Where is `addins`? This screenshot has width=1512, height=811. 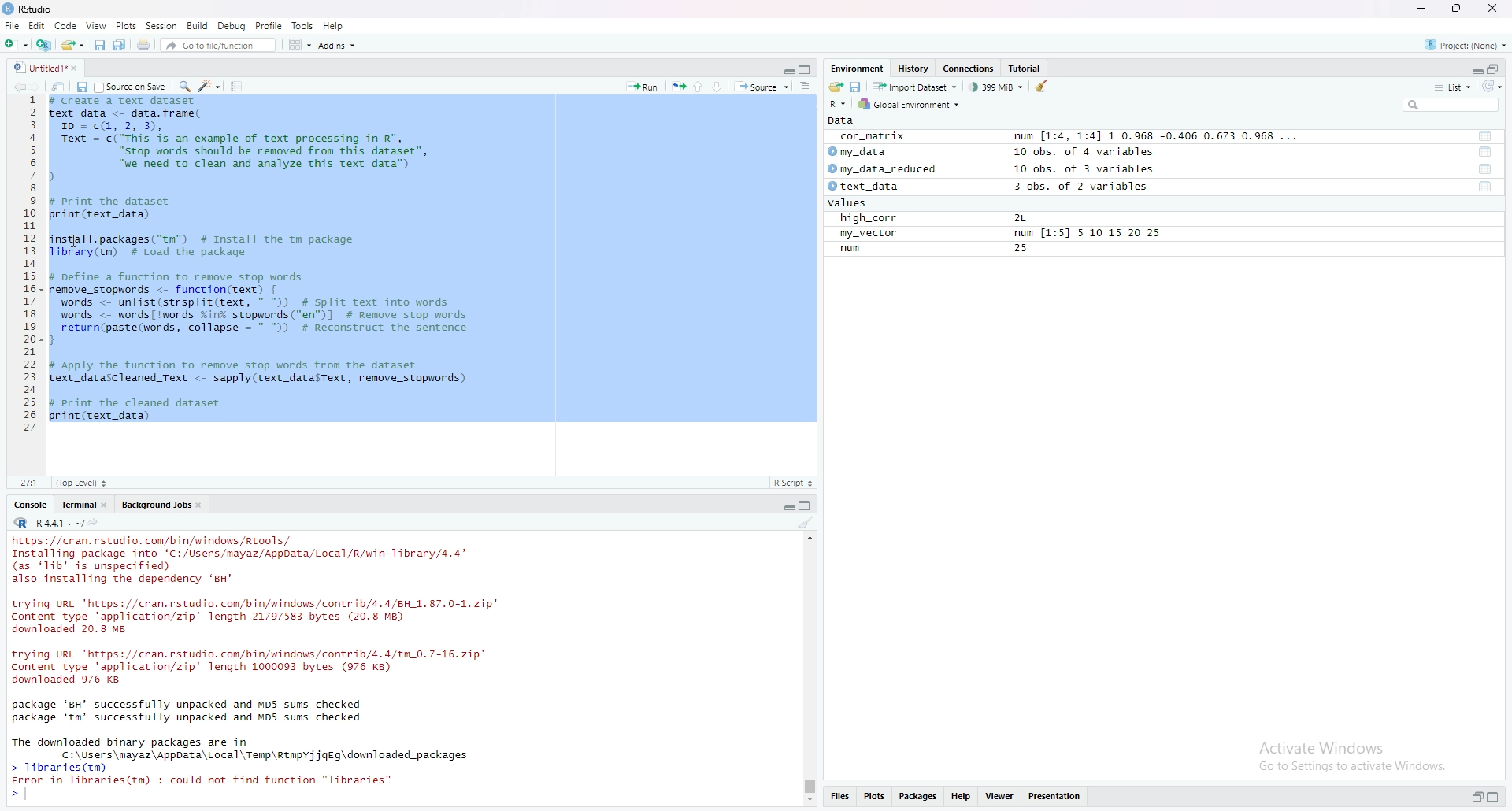 addins is located at coordinates (339, 46).